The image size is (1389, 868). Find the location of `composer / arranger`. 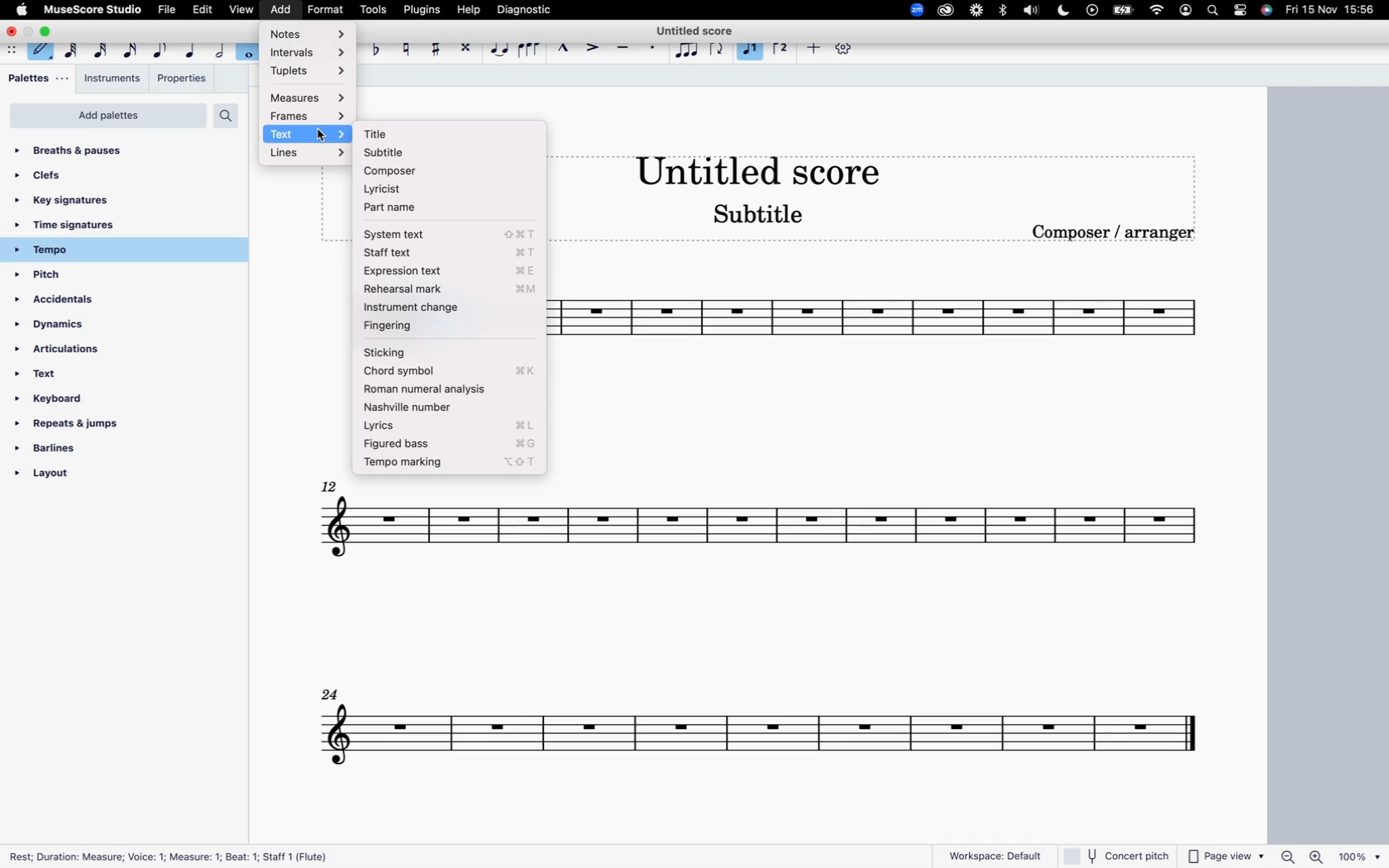

composer / arranger is located at coordinates (1118, 232).